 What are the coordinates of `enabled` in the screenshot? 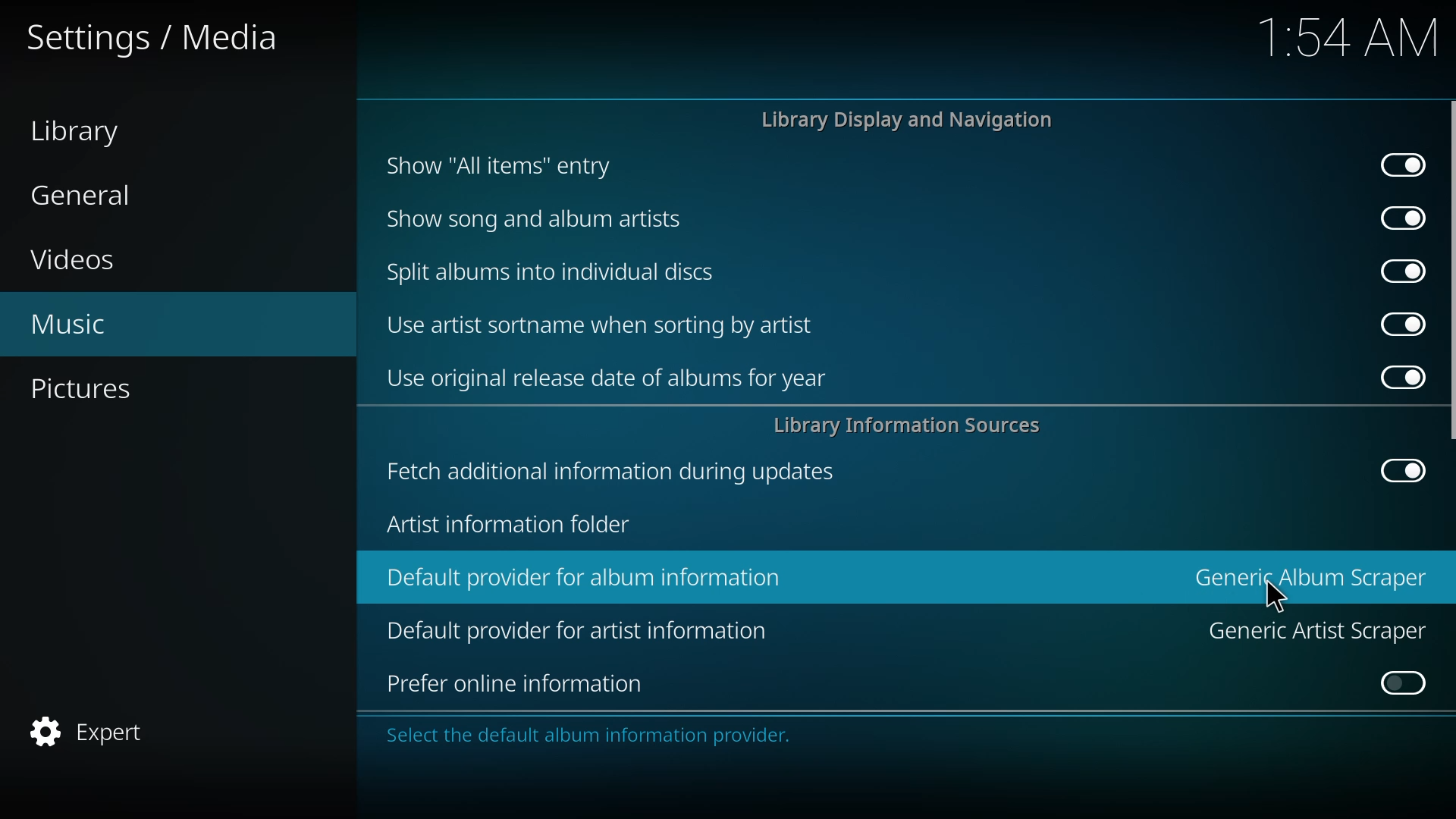 It's located at (1399, 323).